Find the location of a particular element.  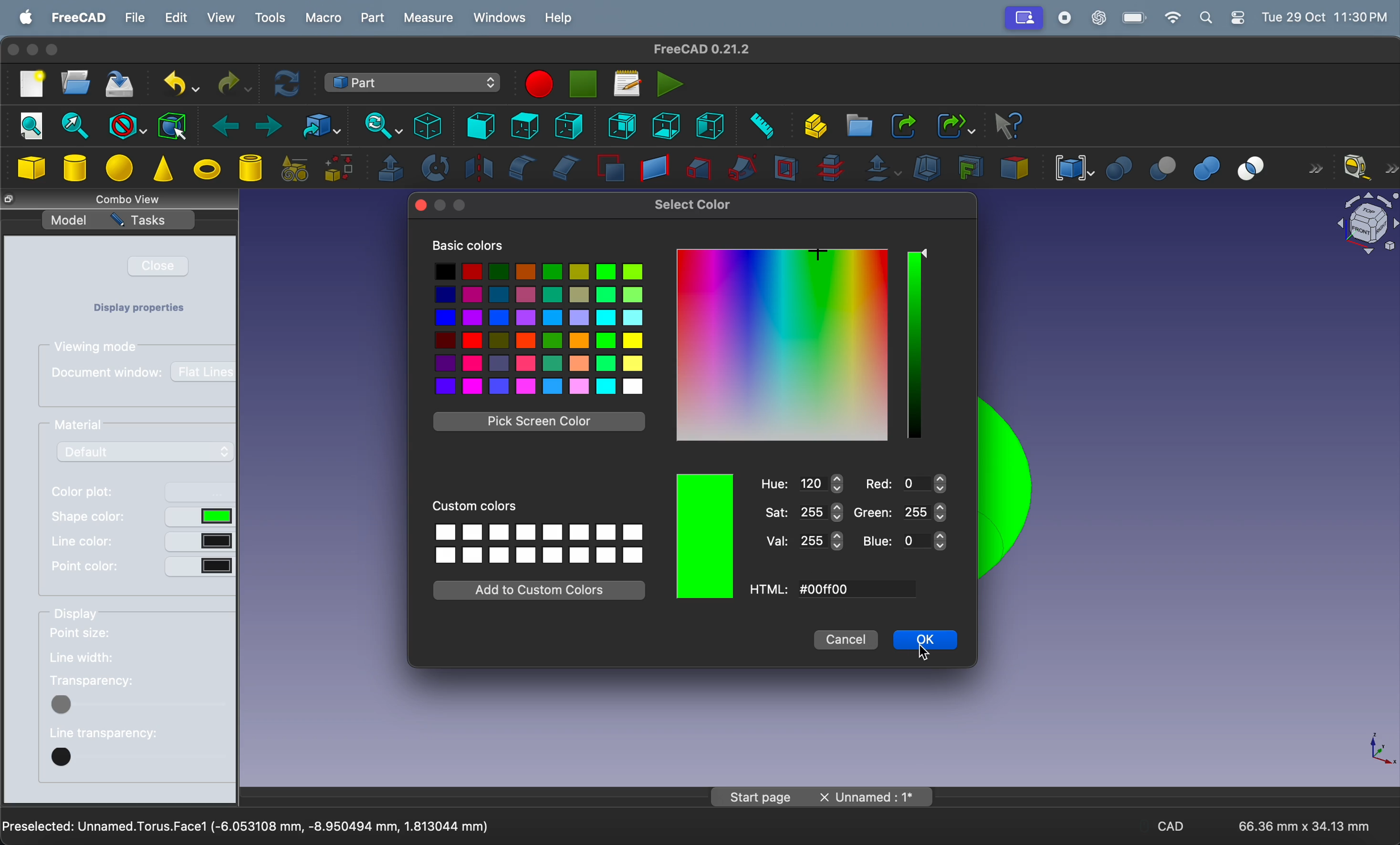

isometric view is located at coordinates (429, 125).